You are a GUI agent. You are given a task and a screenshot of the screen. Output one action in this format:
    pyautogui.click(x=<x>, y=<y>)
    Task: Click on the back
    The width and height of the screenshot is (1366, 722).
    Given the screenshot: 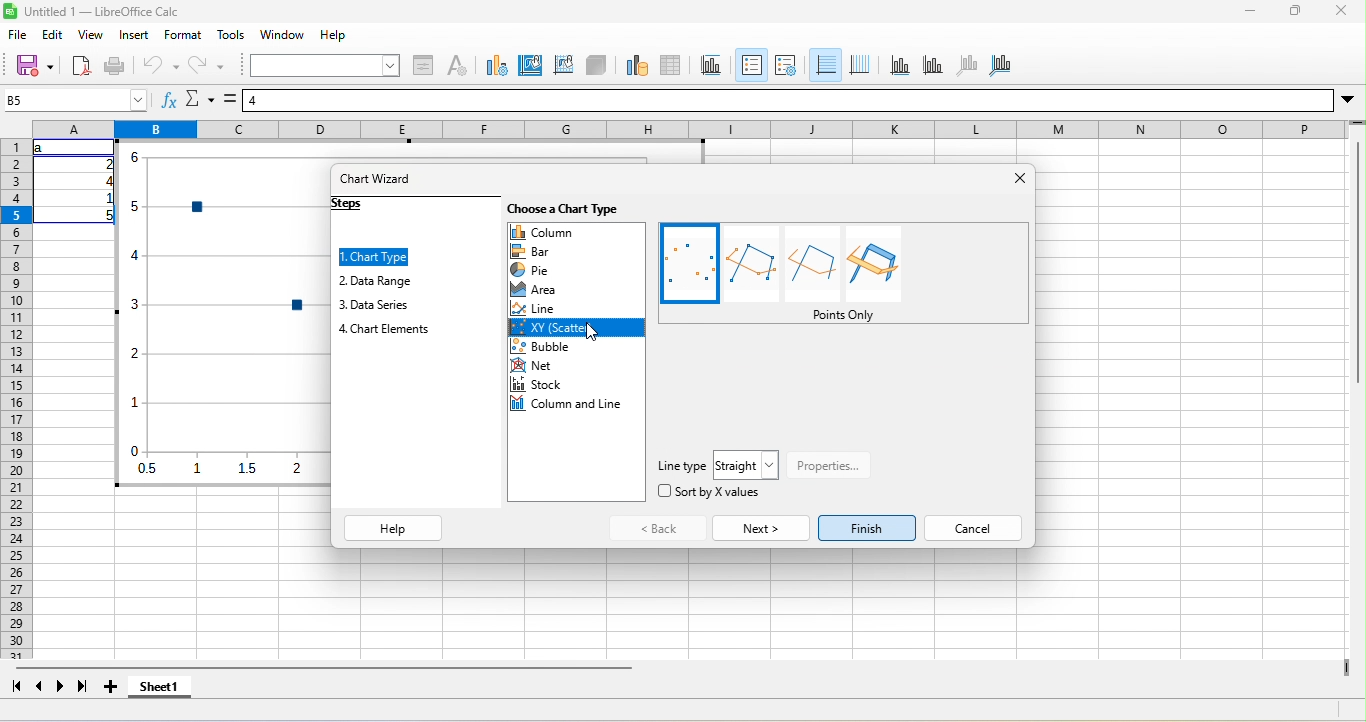 What is the action you would take?
    pyautogui.click(x=658, y=528)
    